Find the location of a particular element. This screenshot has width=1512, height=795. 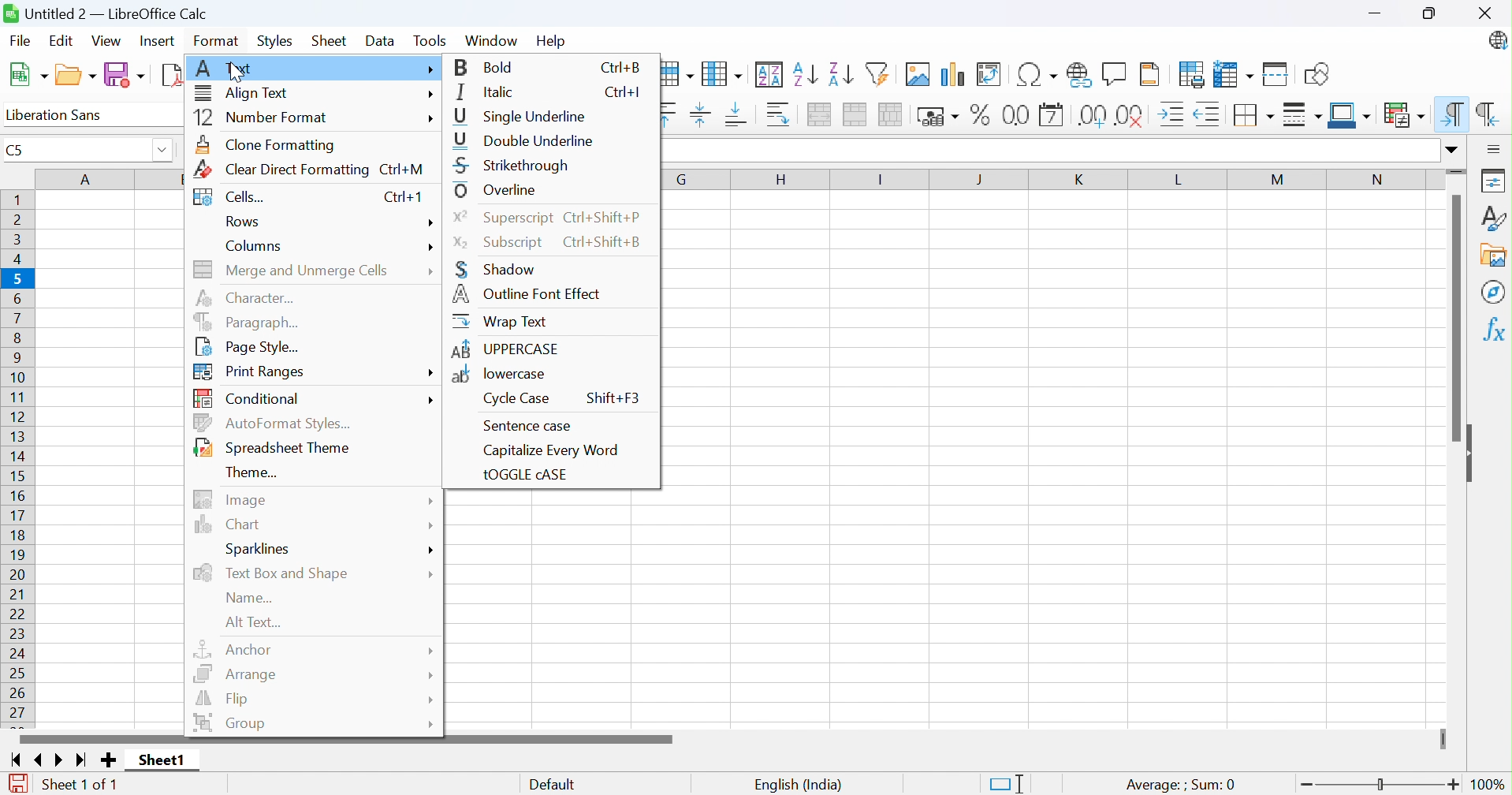

Sidebar settings is located at coordinates (1491, 149).